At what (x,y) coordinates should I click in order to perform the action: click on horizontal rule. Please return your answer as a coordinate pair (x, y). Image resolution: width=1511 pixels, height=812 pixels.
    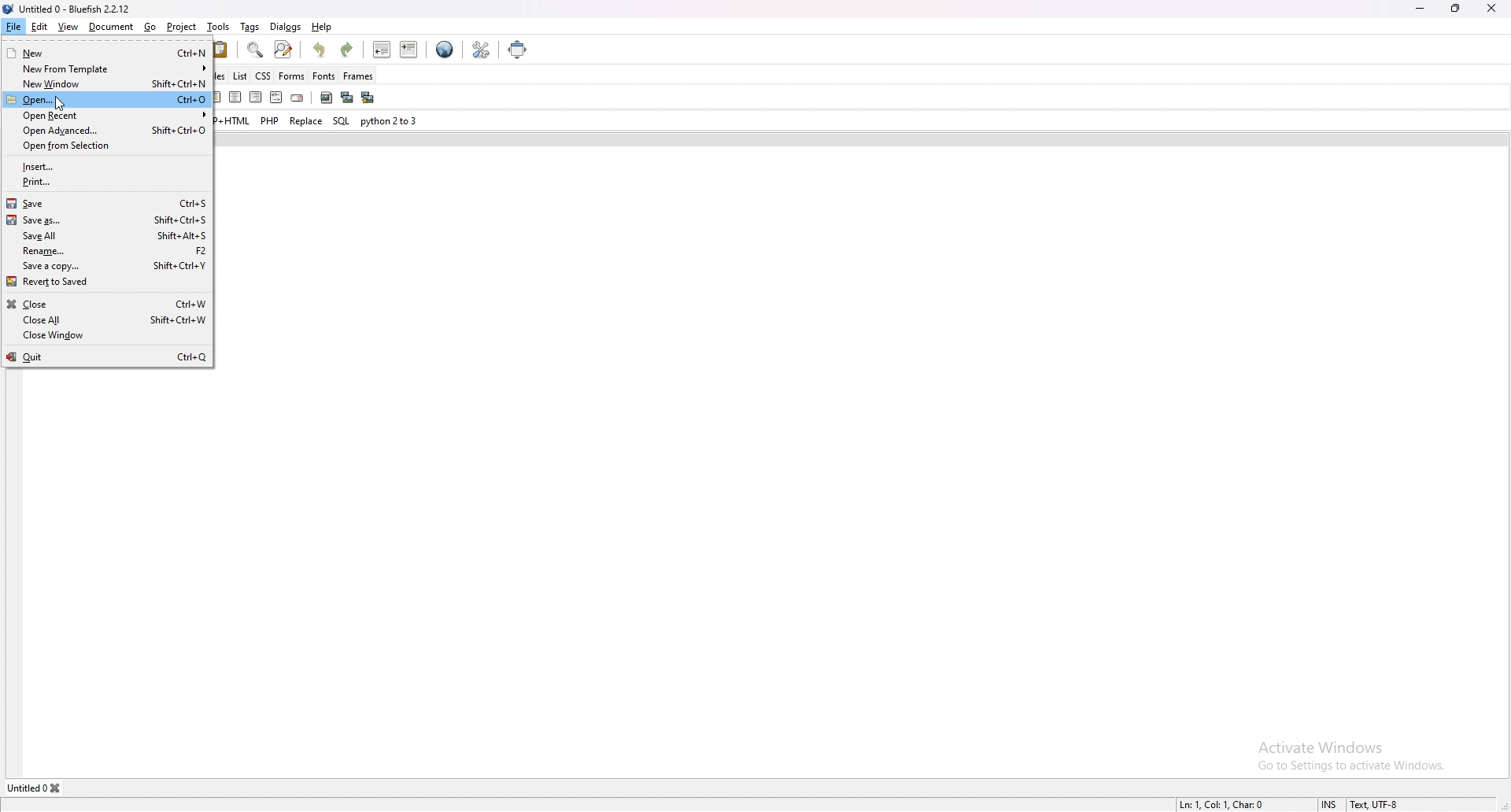
    Looking at the image, I should click on (215, 97).